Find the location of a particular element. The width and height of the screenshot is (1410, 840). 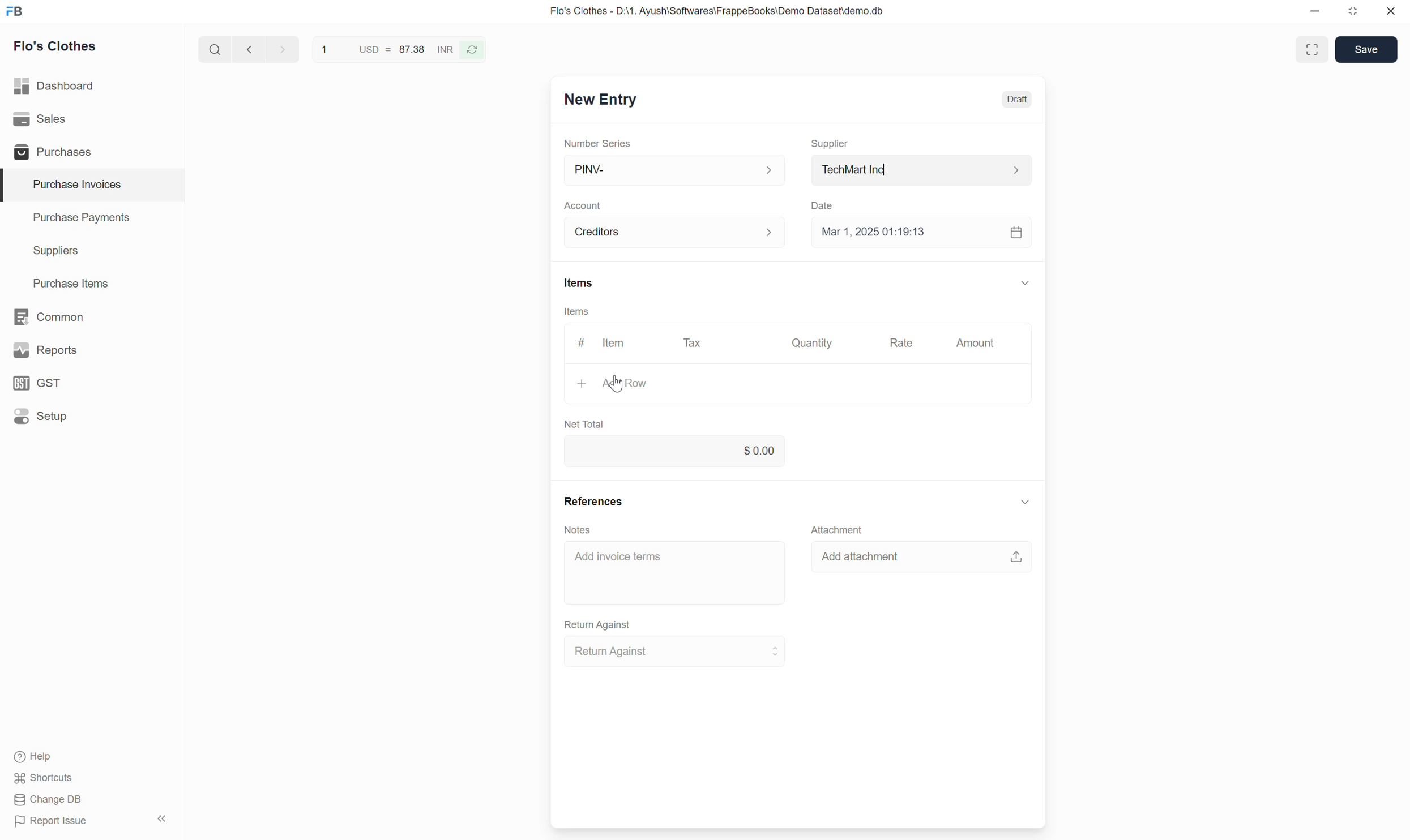

Return Against is located at coordinates (599, 623).